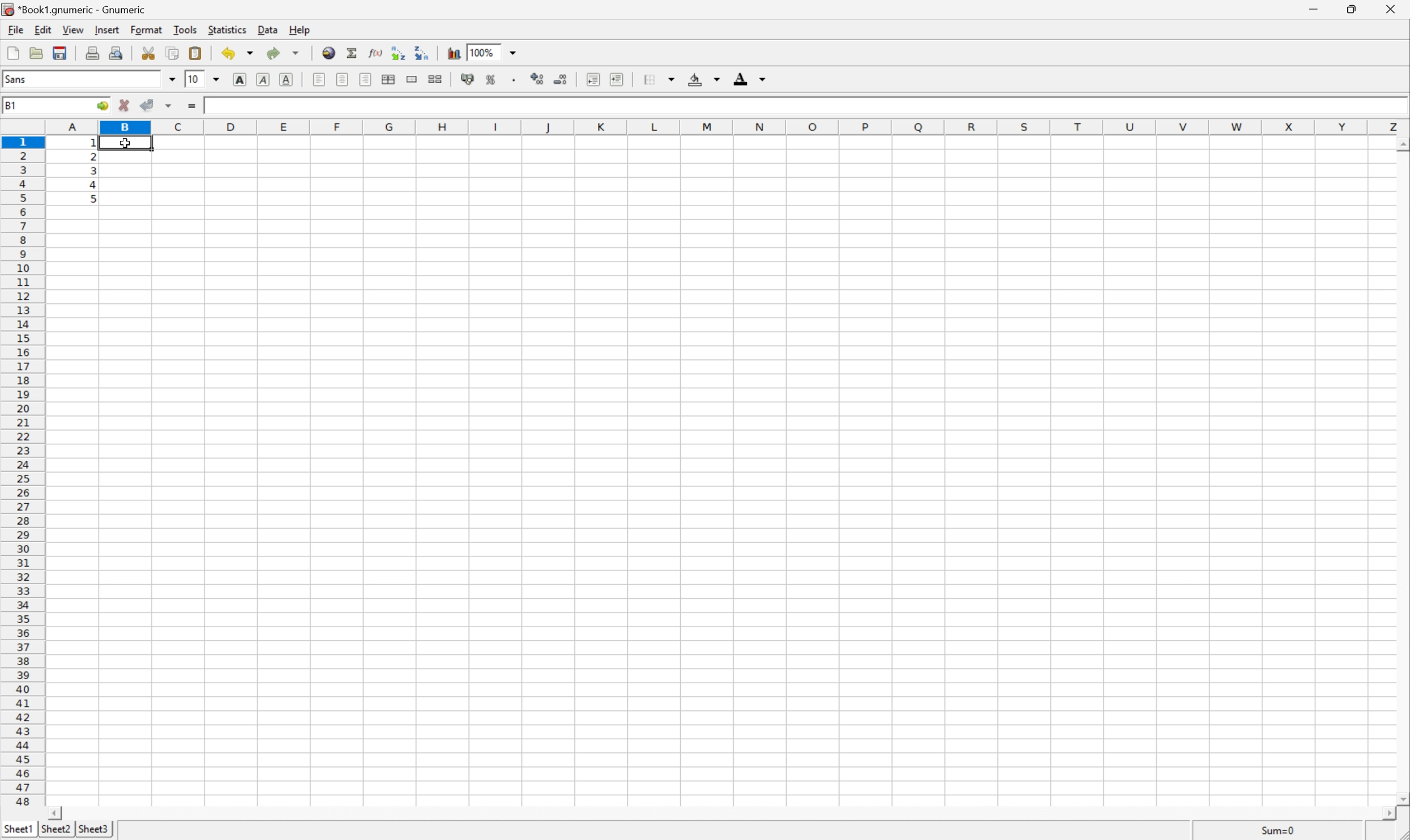 The image size is (1410, 840). What do you see at coordinates (216, 79) in the screenshot?
I see `Drop Down` at bounding box center [216, 79].